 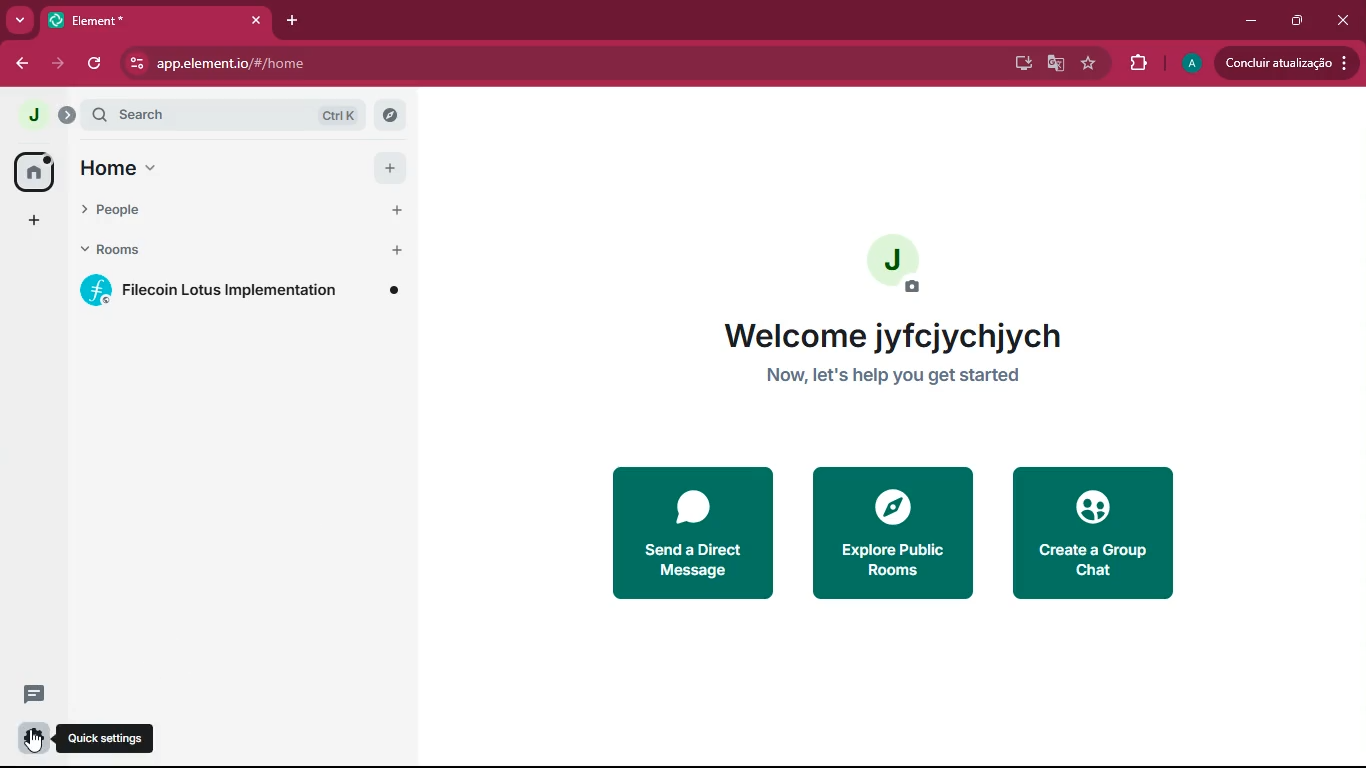 What do you see at coordinates (29, 740) in the screenshot?
I see `settings` at bounding box center [29, 740].